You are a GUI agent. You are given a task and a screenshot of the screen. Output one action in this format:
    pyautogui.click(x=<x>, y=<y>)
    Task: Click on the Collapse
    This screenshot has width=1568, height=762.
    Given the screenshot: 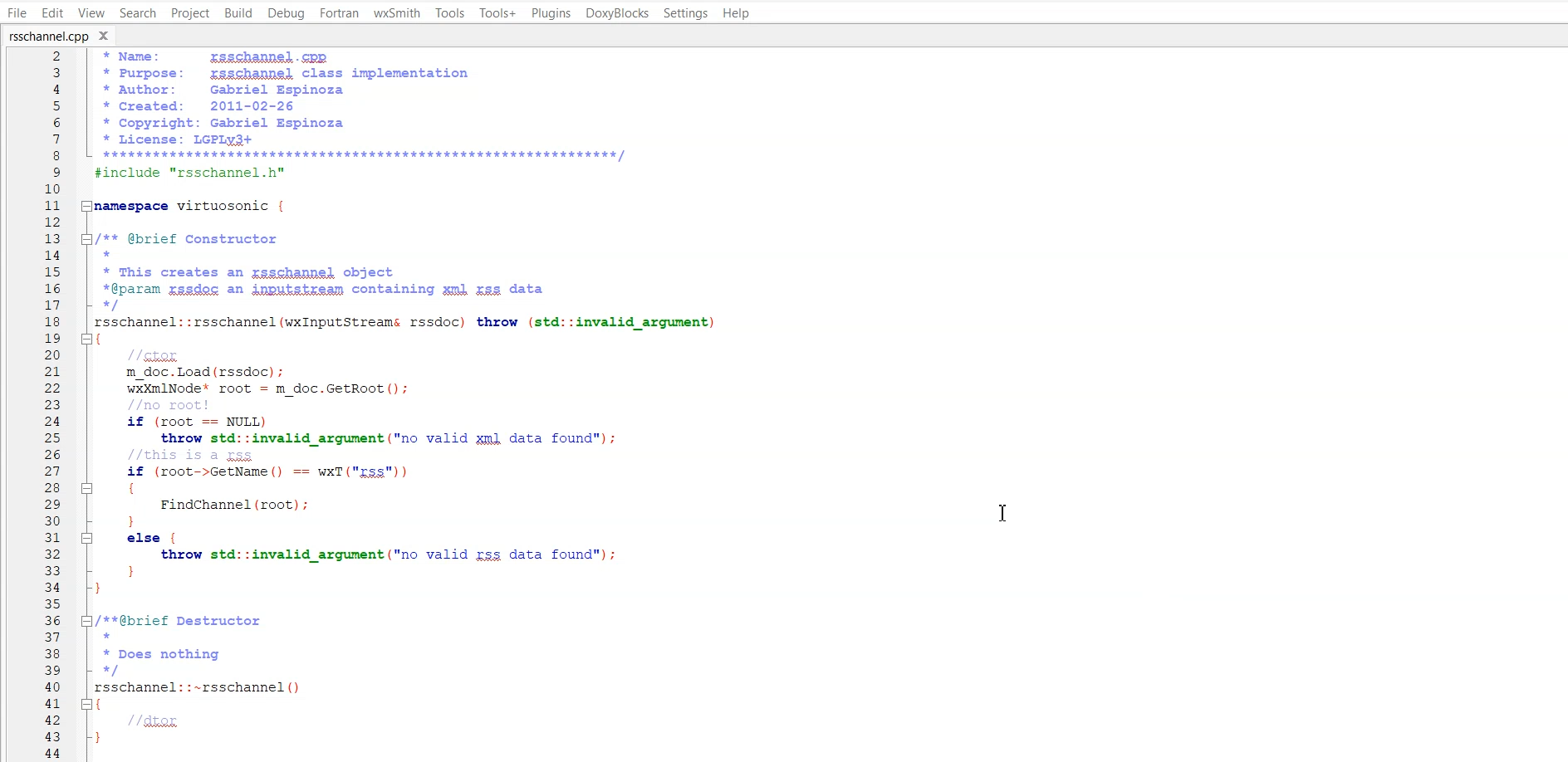 What is the action you would take?
    pyautogui.click(x=87, y=704)
    